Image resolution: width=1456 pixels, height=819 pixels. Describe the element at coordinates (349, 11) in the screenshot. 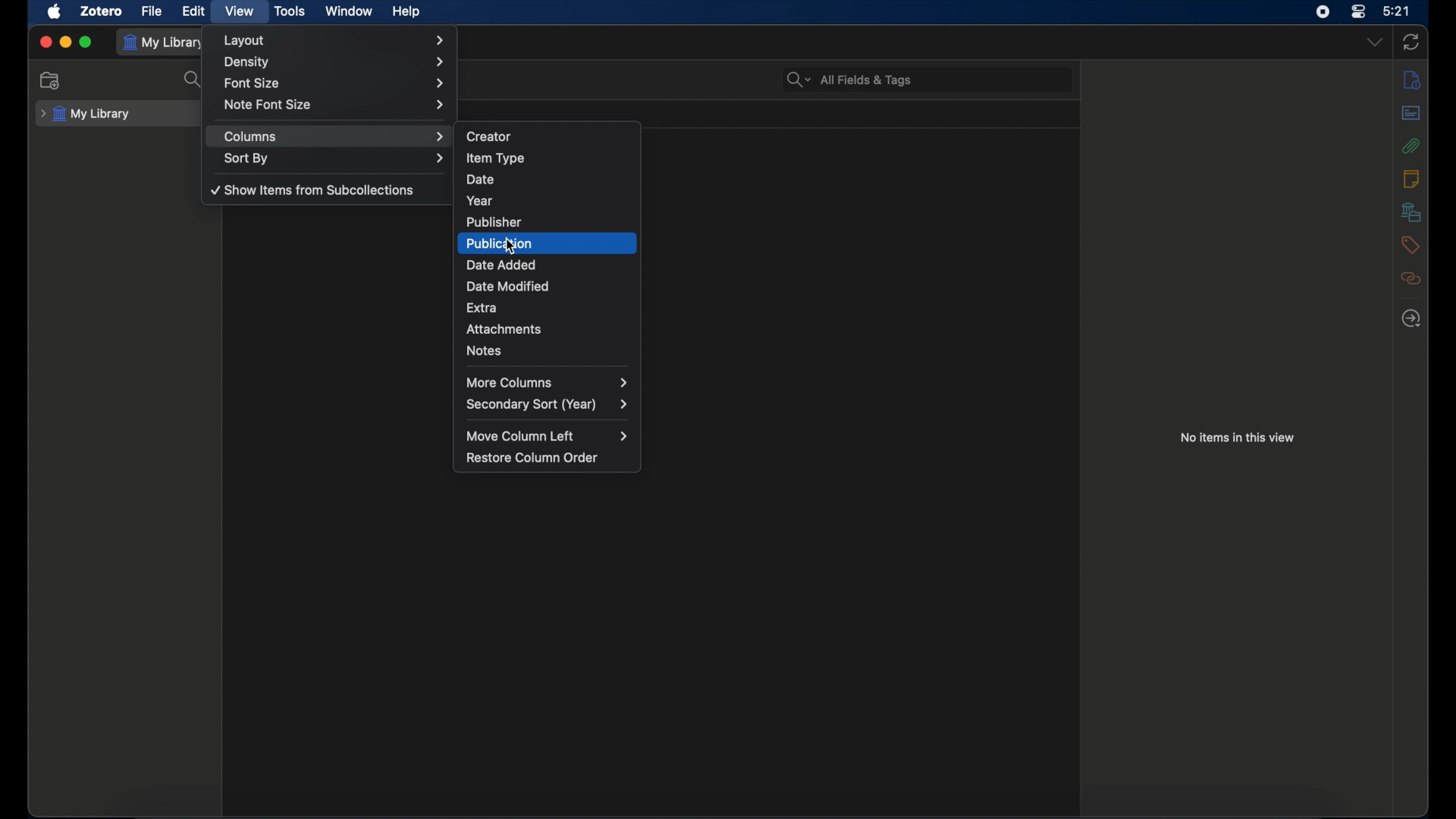

I see `window` at that location.